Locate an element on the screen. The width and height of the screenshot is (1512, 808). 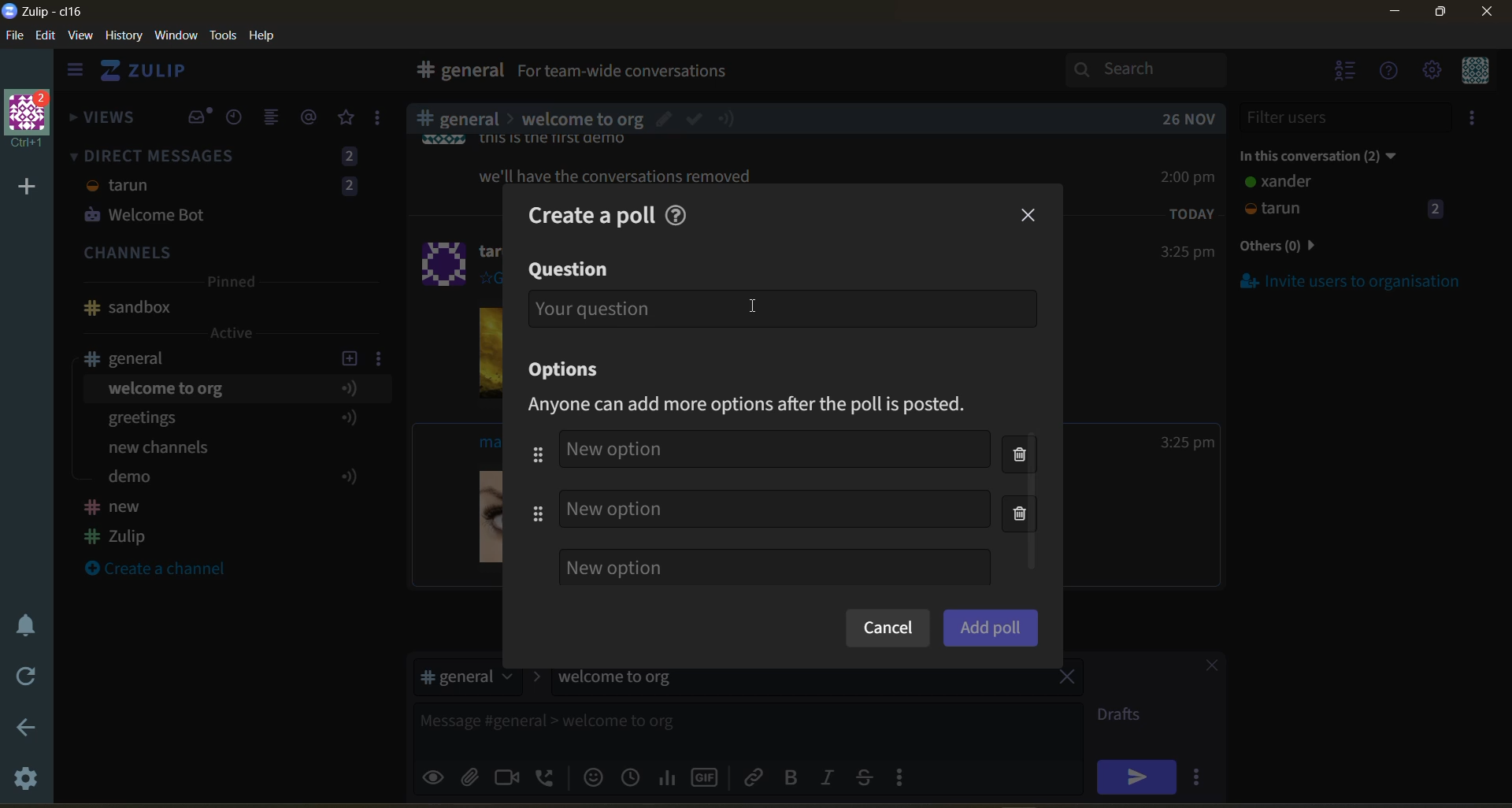
 is located at coordinates (617, 176).